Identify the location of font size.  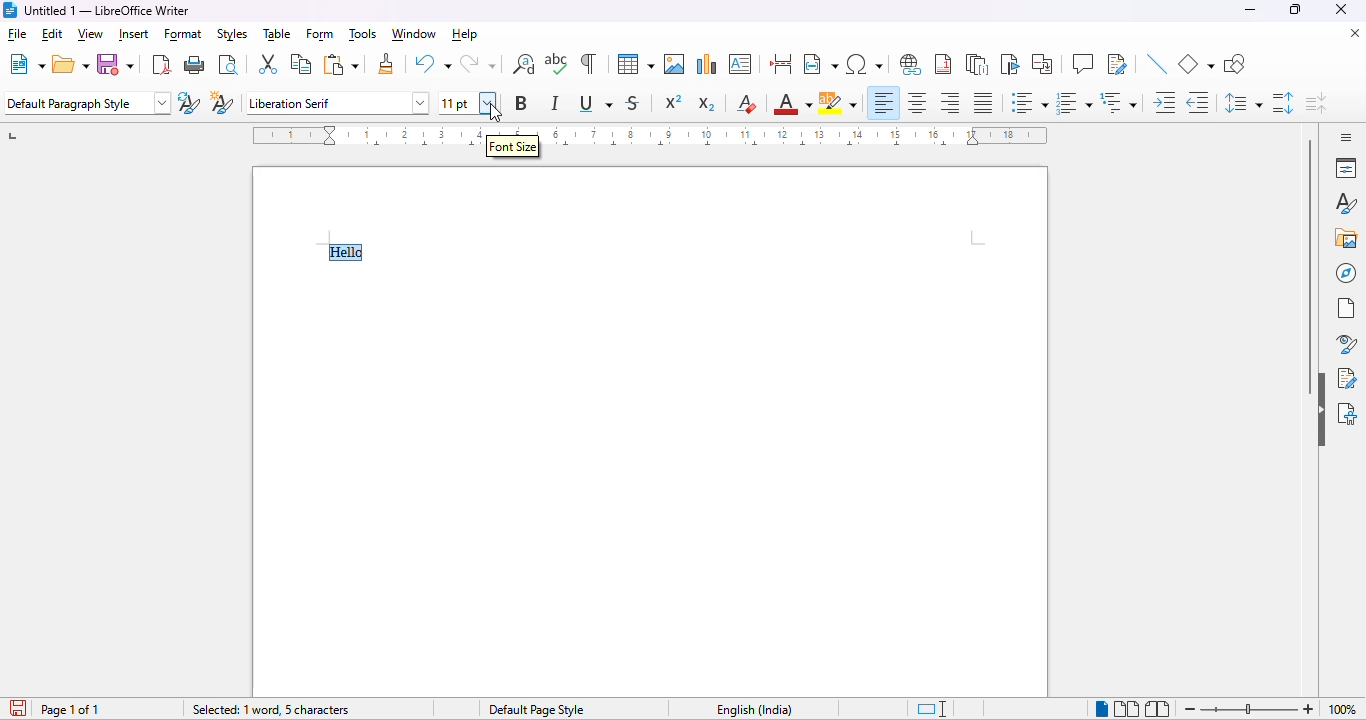
(469, 103).